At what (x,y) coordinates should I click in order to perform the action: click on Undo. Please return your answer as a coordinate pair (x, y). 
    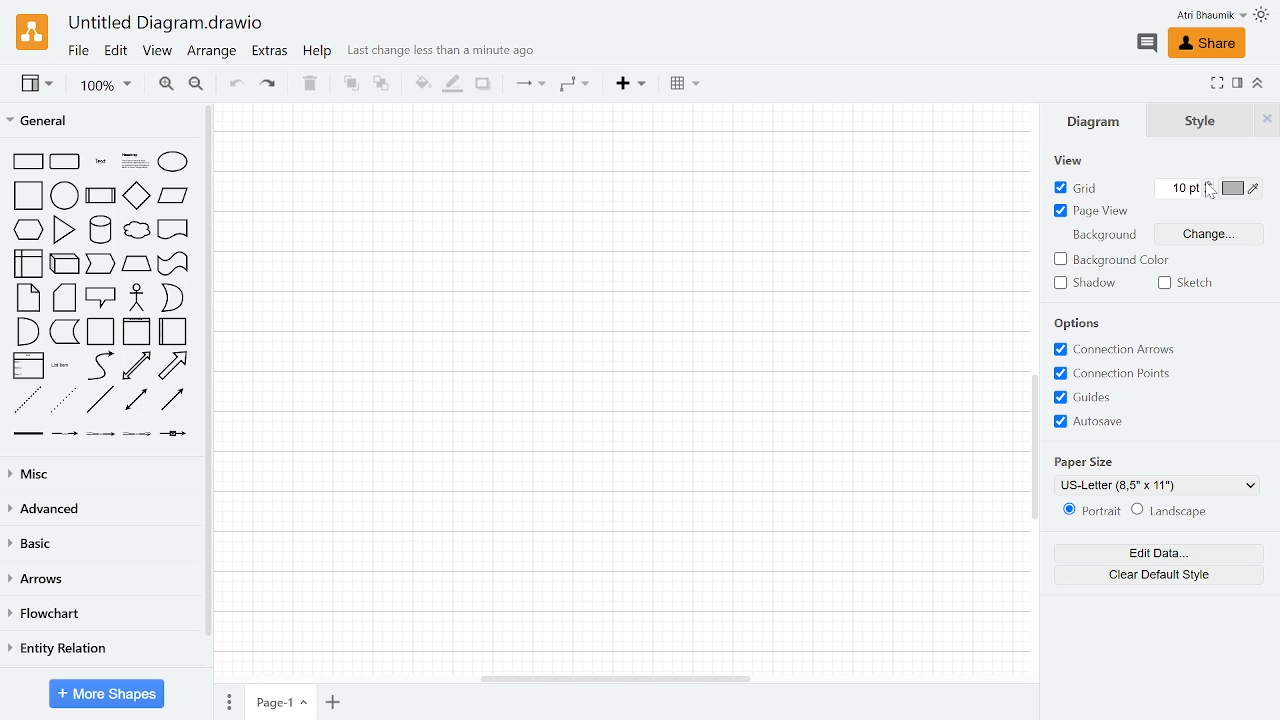
    Looking at the image, I should click on (237, 86).